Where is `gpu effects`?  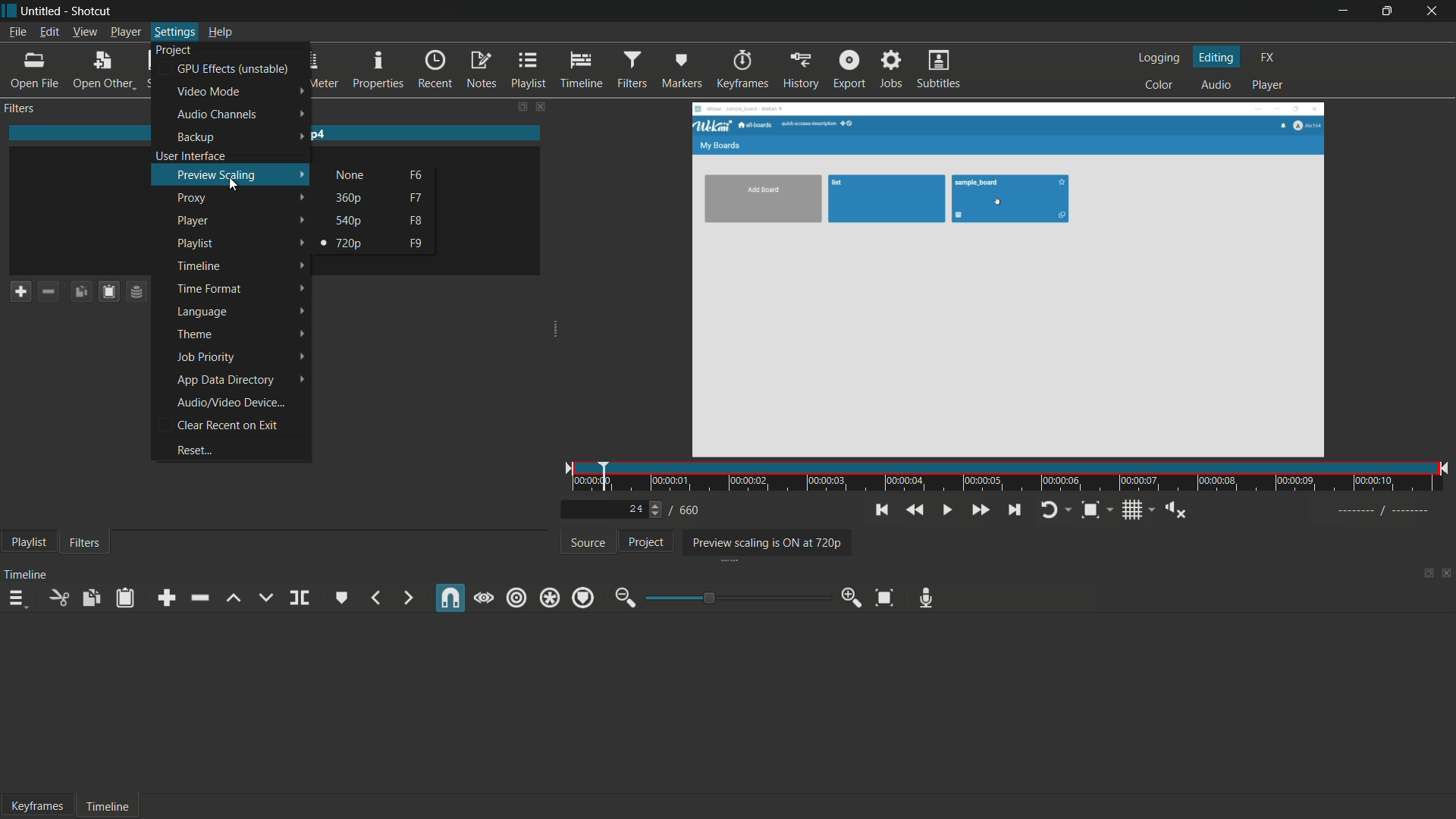 gpu effects is located at coordinates (232, 69).